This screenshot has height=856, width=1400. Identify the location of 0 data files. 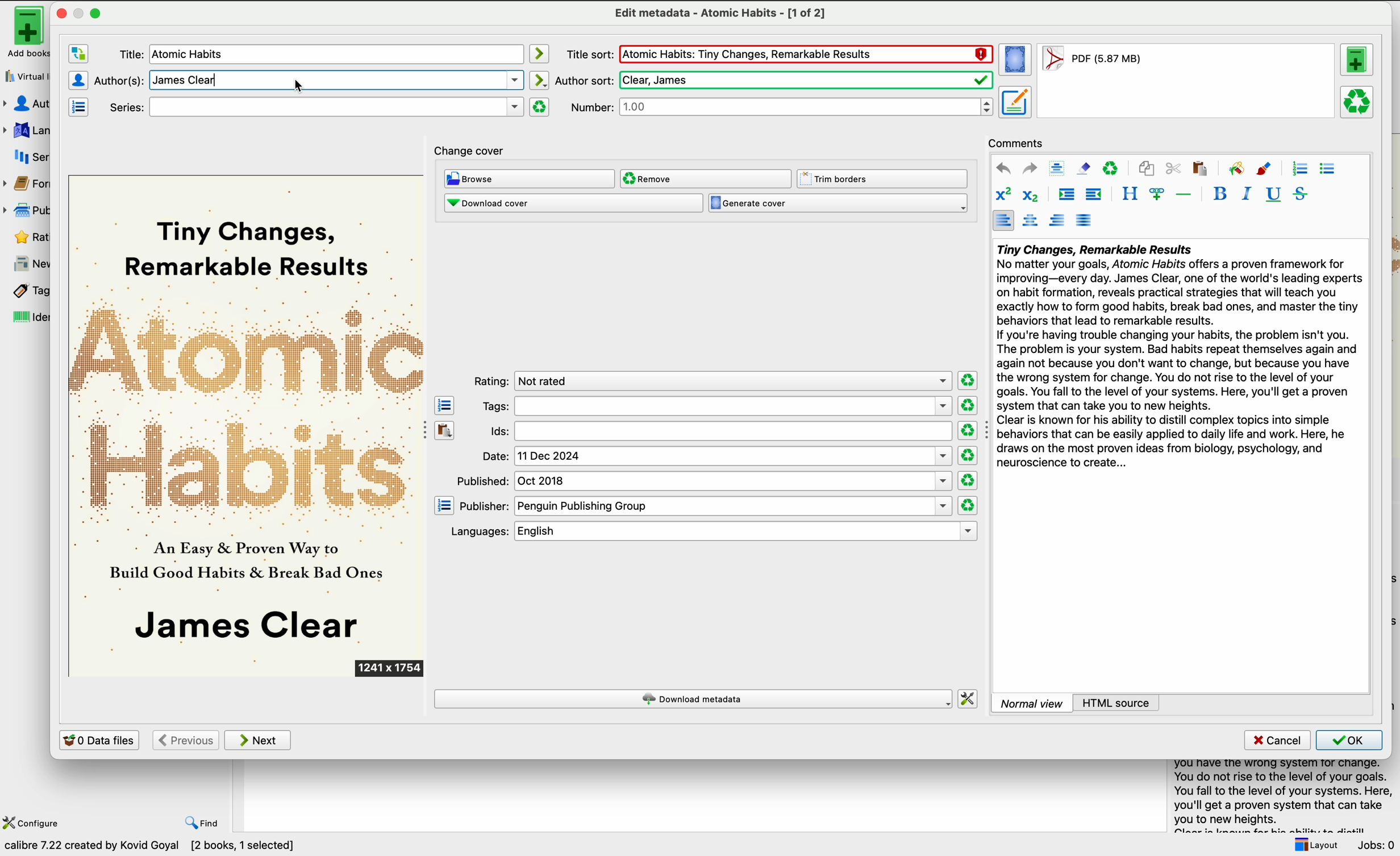
(99, 739).